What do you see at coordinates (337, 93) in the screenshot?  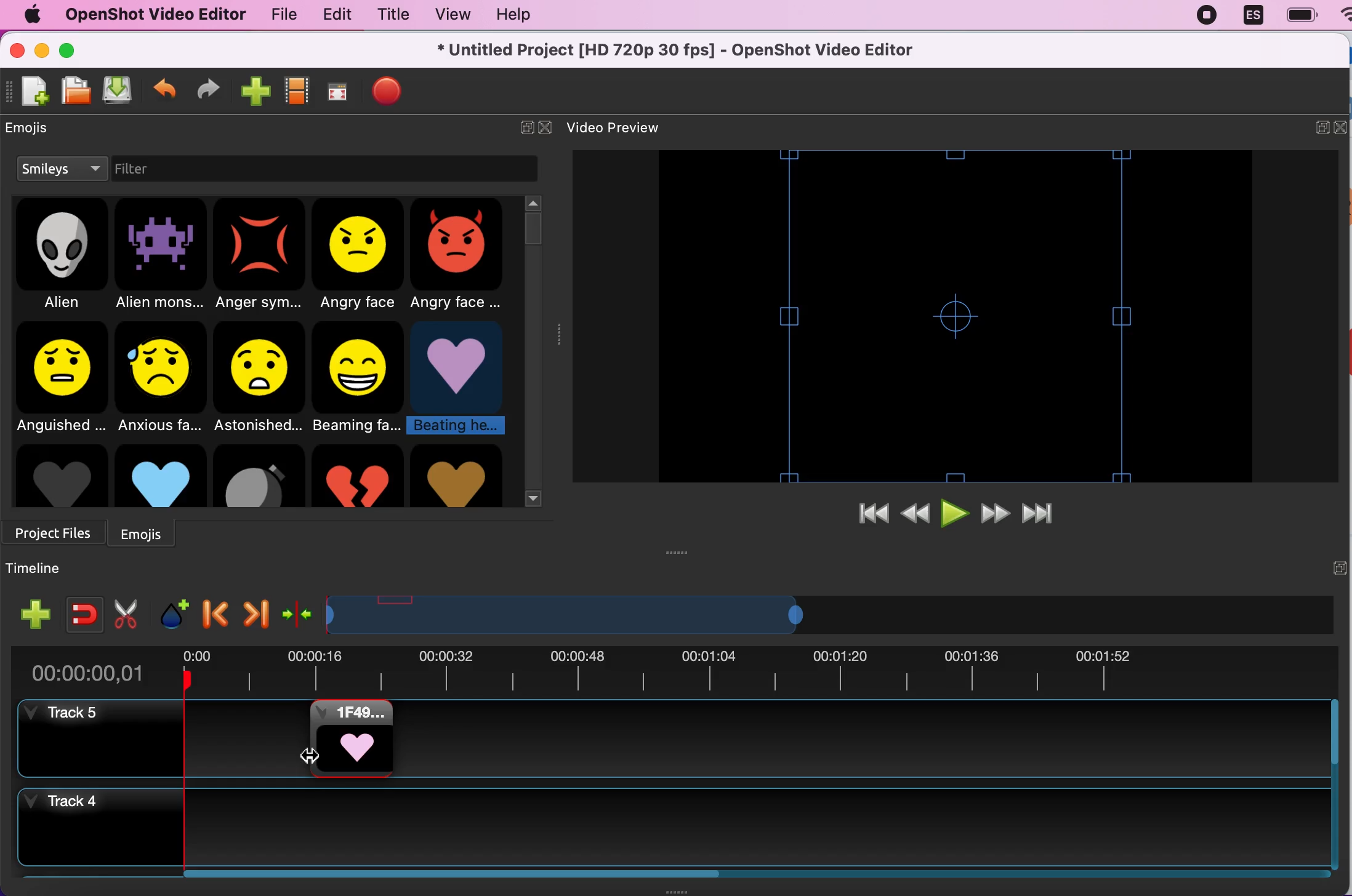 I see `full screen` at bounding box center [337, 93].